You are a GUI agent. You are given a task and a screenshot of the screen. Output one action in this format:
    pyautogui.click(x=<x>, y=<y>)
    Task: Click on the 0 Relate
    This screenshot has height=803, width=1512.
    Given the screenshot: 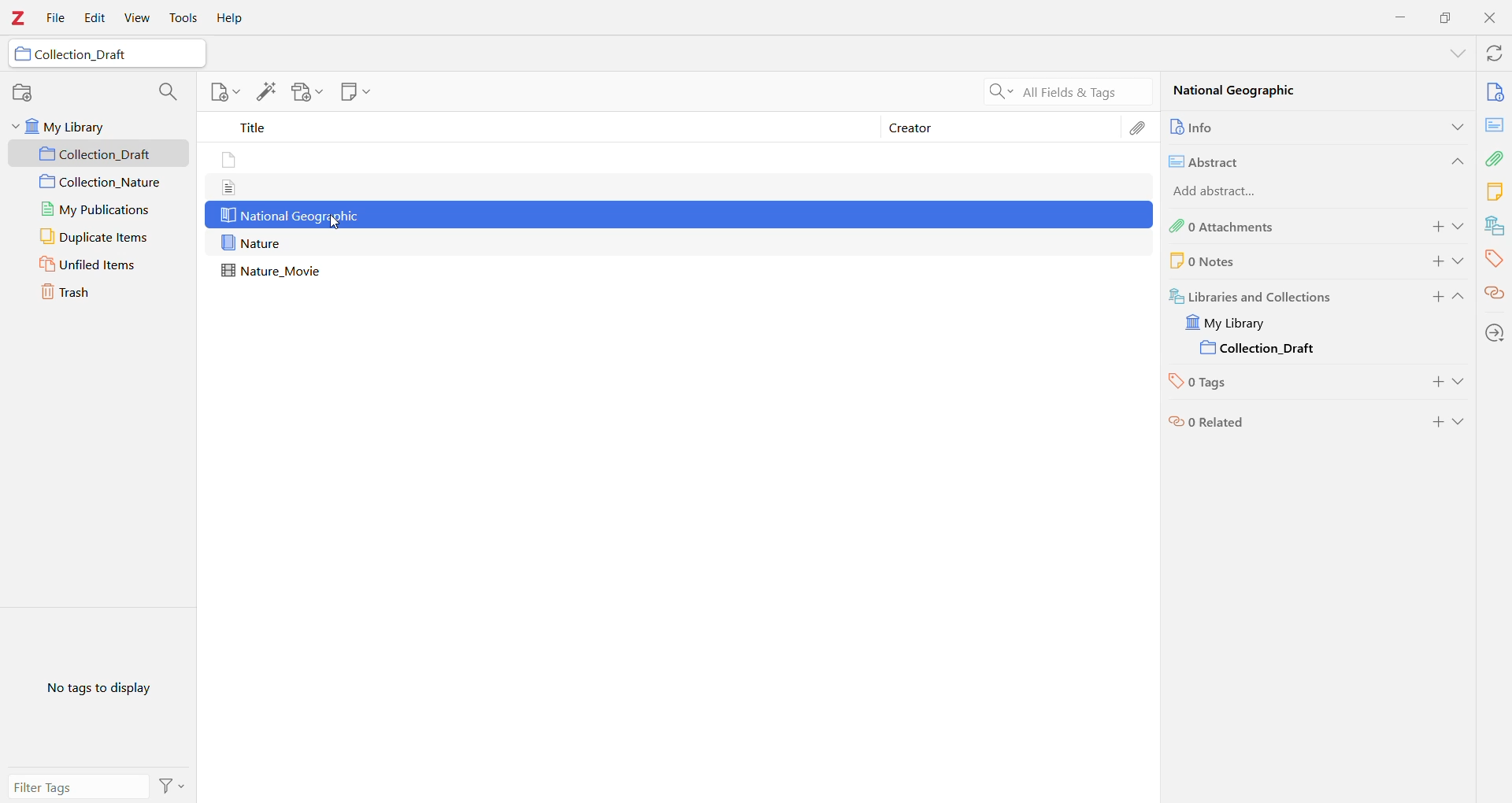 What is the action you would take?
    pyautogui.click(x=1282, y=422)
    